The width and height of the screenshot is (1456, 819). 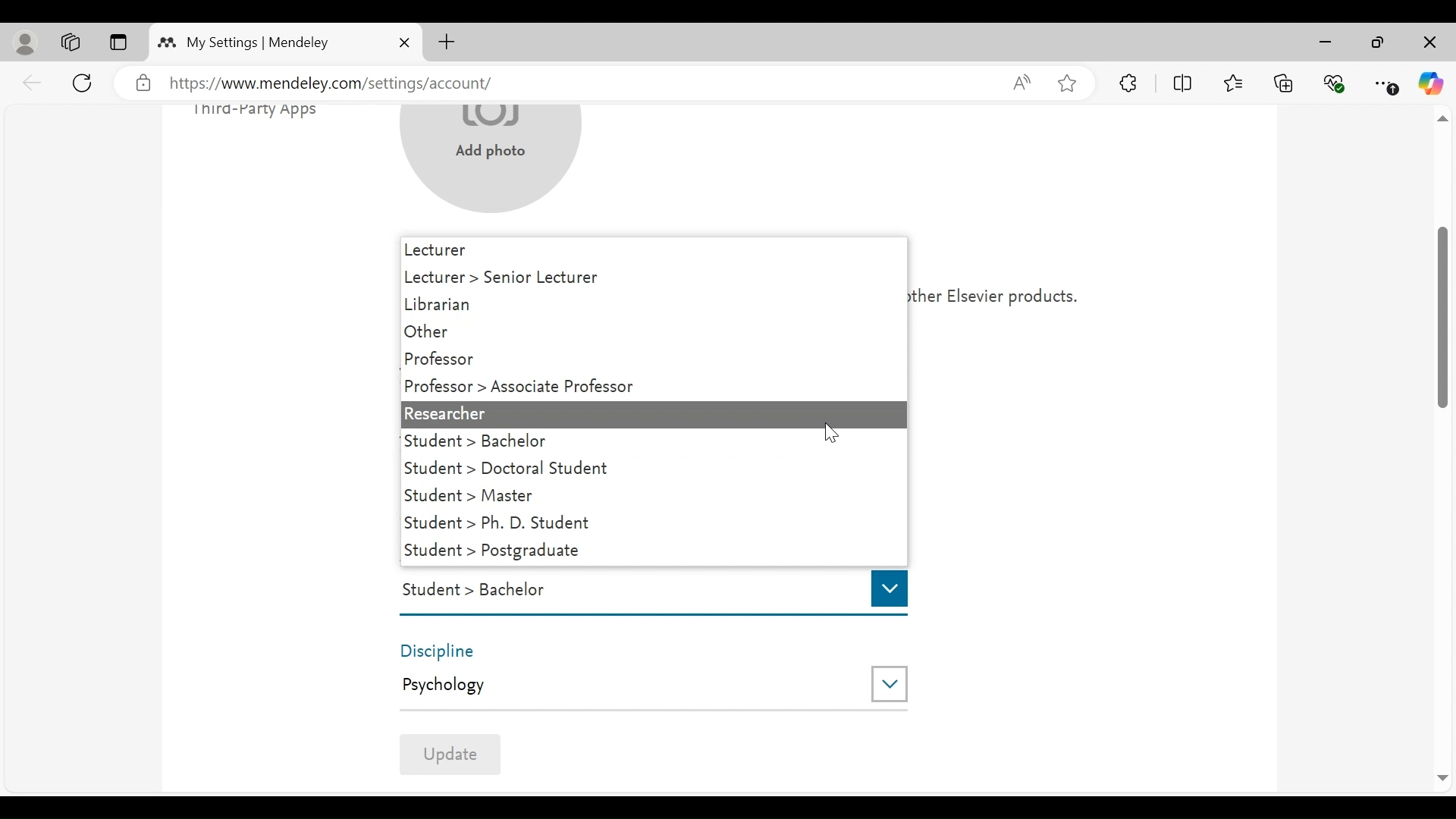 What do you see at coordinates (1378, 44) in the screenshot?
I see `Maximize` at bounding box center [1378, 44].